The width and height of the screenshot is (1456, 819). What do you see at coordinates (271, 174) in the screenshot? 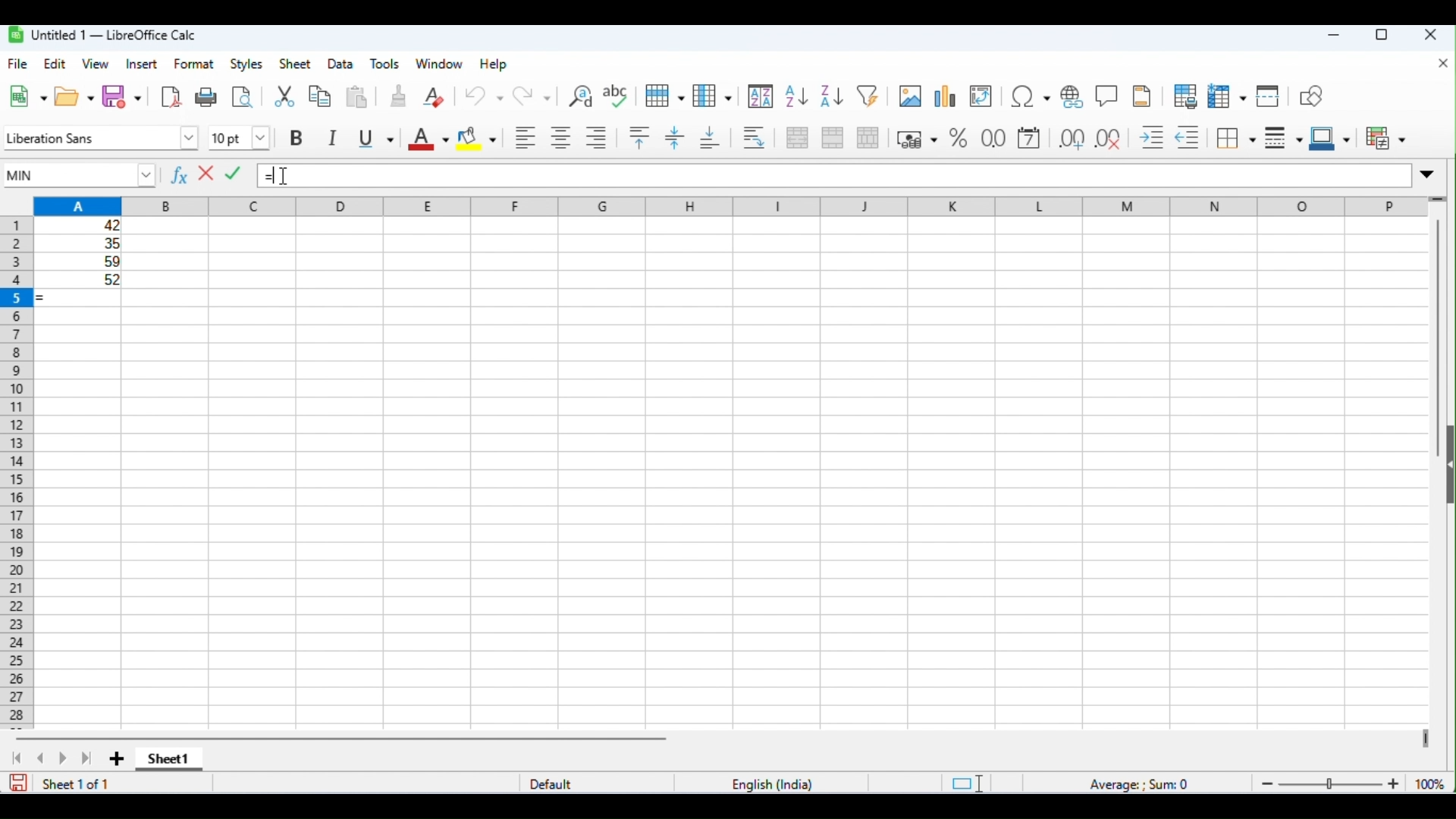
I see `typing cursor` at bounding box center [271, 174].